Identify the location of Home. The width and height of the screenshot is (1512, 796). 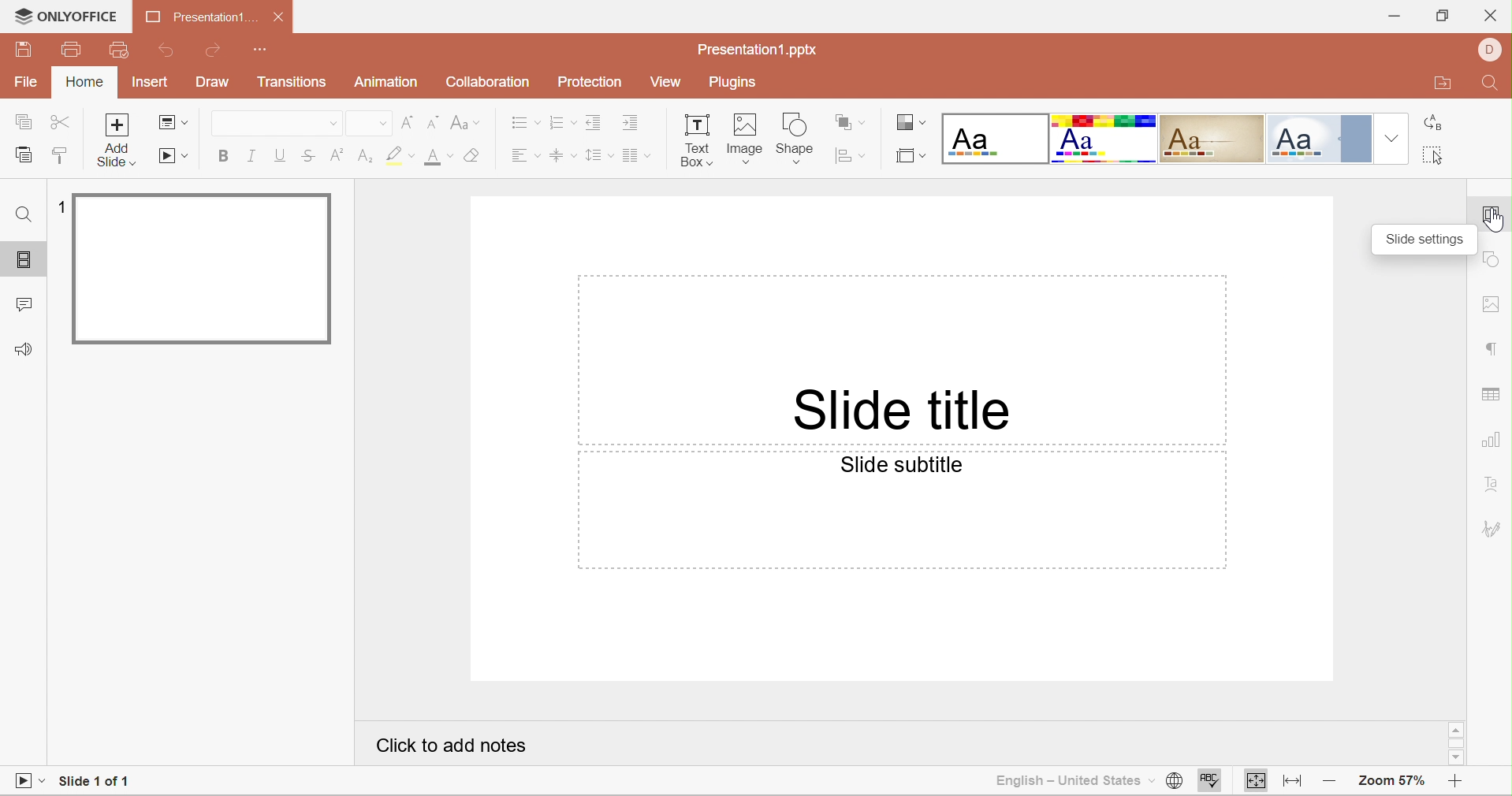
(88, 83).